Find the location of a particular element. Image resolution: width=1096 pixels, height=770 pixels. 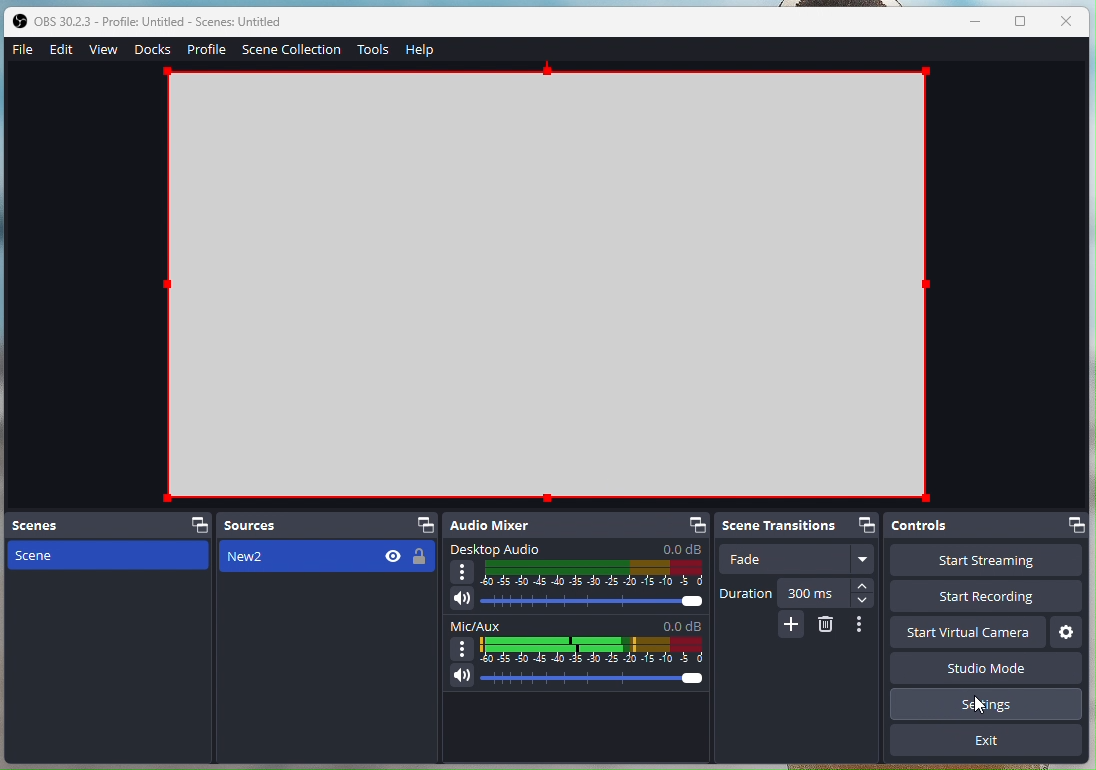

0.0 dB is located at coordinates (685, 548).